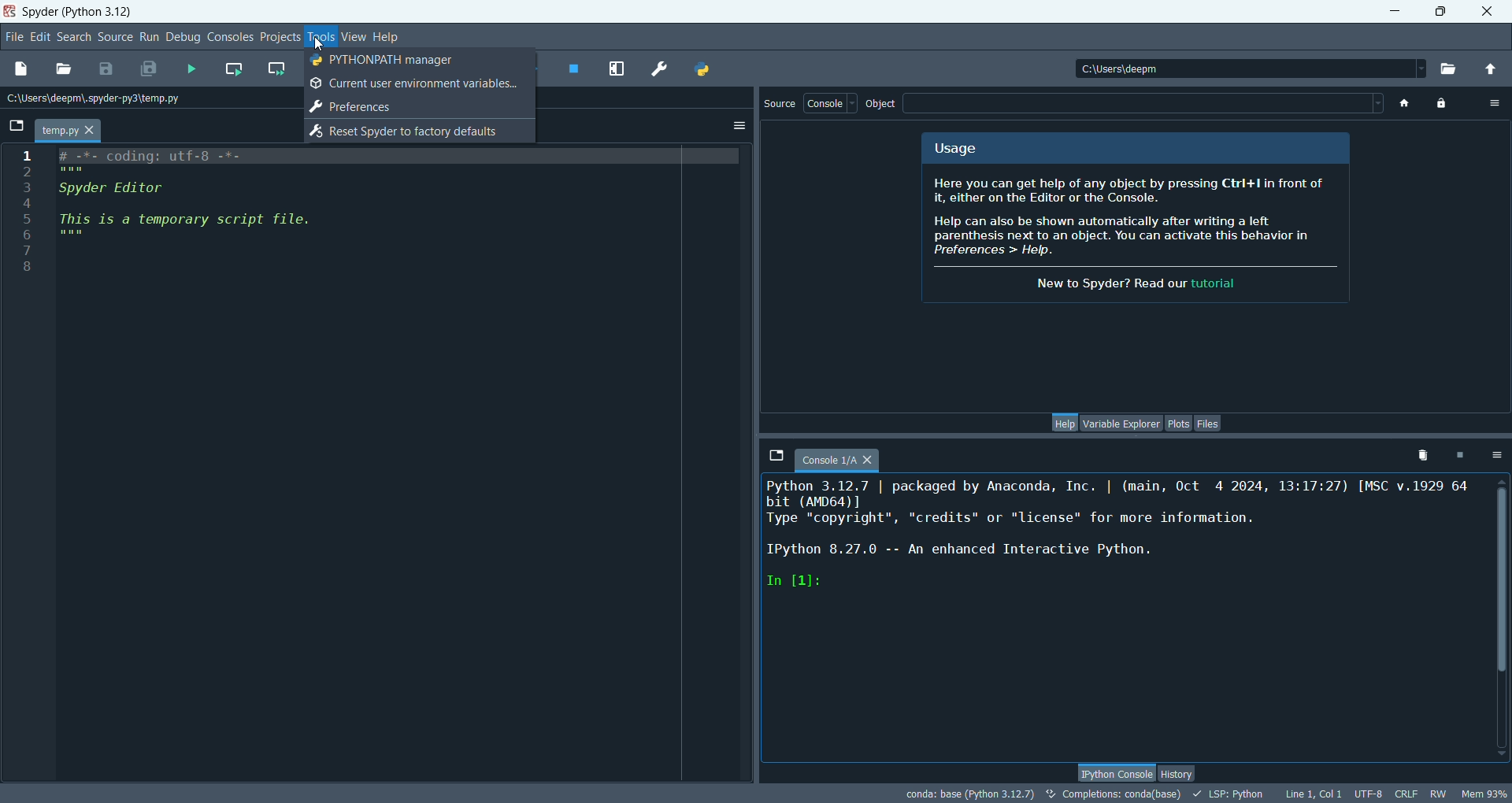 The image size is (1512, 803). Describe the element at coordinates (350, 35) in the screenshot. I see `view` at that location.